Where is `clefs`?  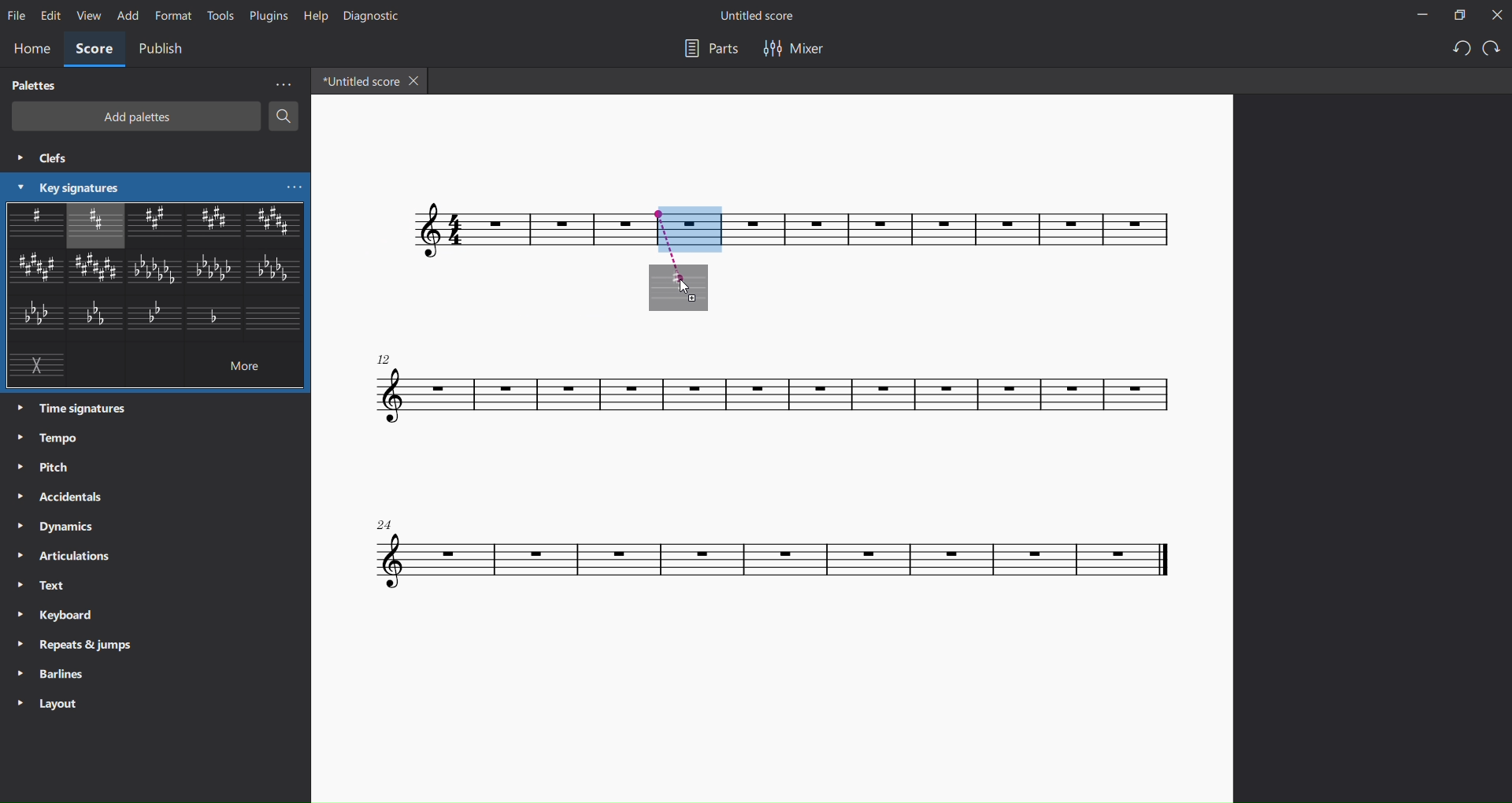
clefs is located at coordinates (46, 157).